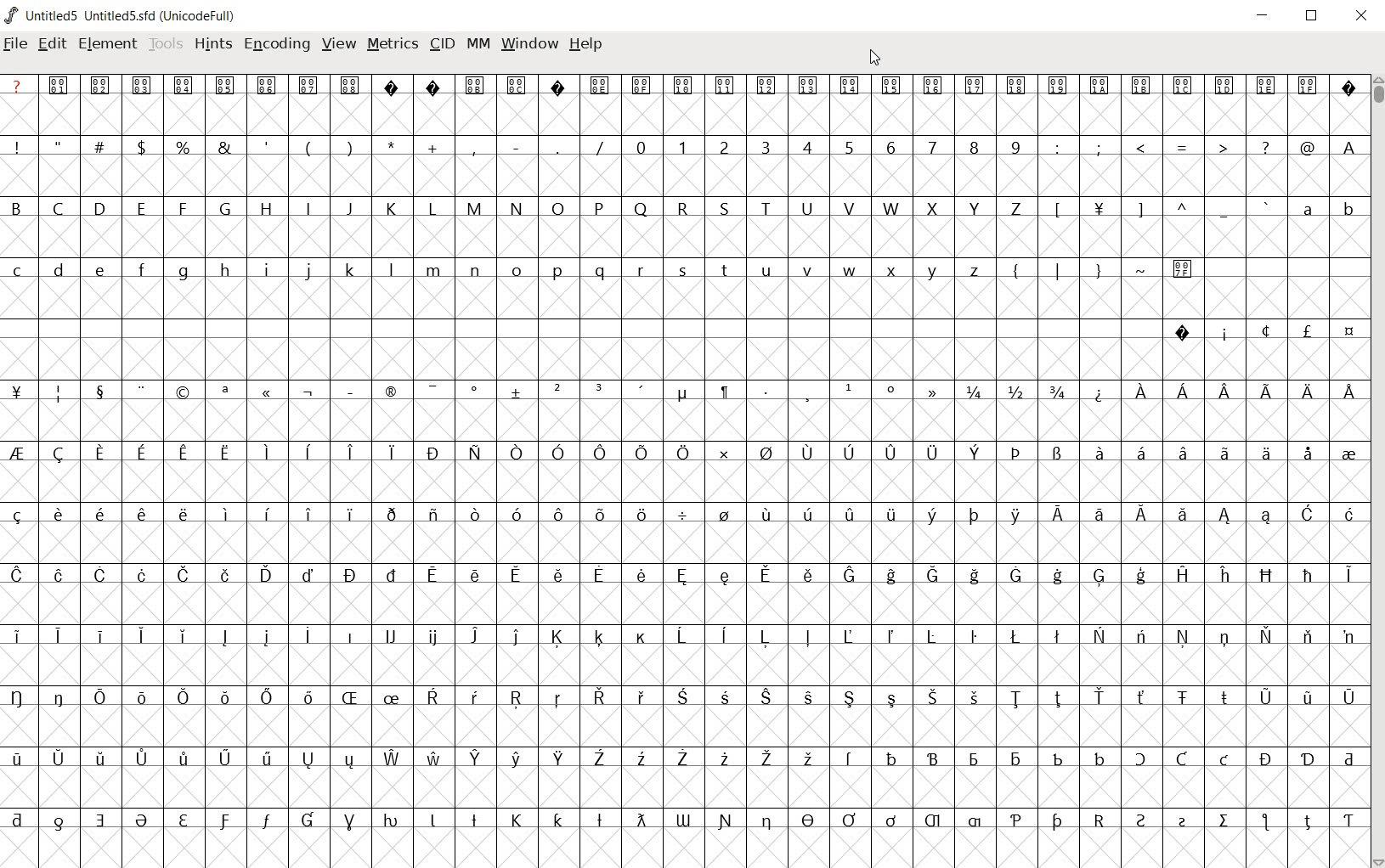 This screenshot has height=868, width=1385. What do you see at coordinates (1057, 516) in the screenshot?
I see `Symbol` at bounding box center [1057, 516].